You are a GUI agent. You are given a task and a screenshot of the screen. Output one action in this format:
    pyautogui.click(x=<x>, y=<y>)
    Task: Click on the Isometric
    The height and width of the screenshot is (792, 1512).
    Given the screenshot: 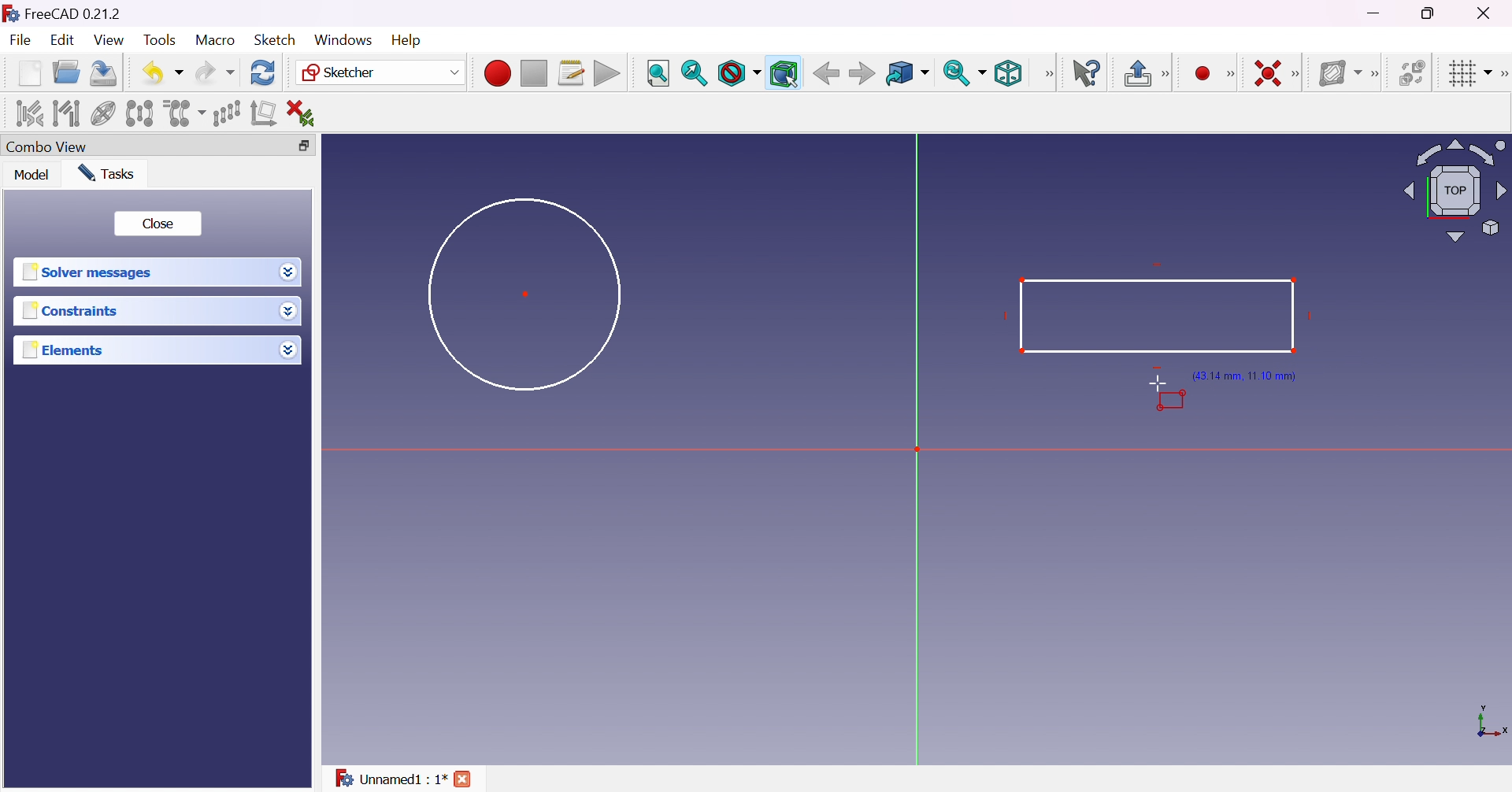 What is the action you would take?
    pyautogui.click(x=1007, y=75)
    